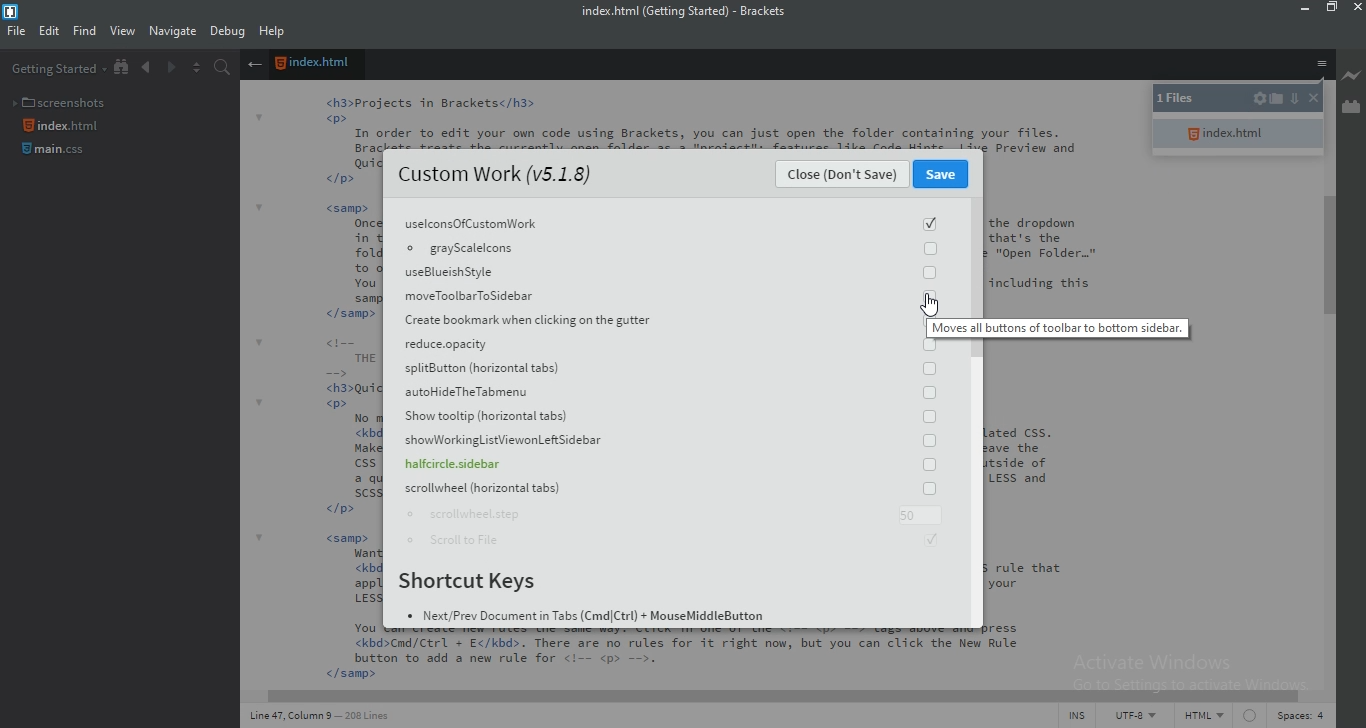 The image size is (1366, 728). I want to click on uselconsOfCustomWork, so click(668, 222).